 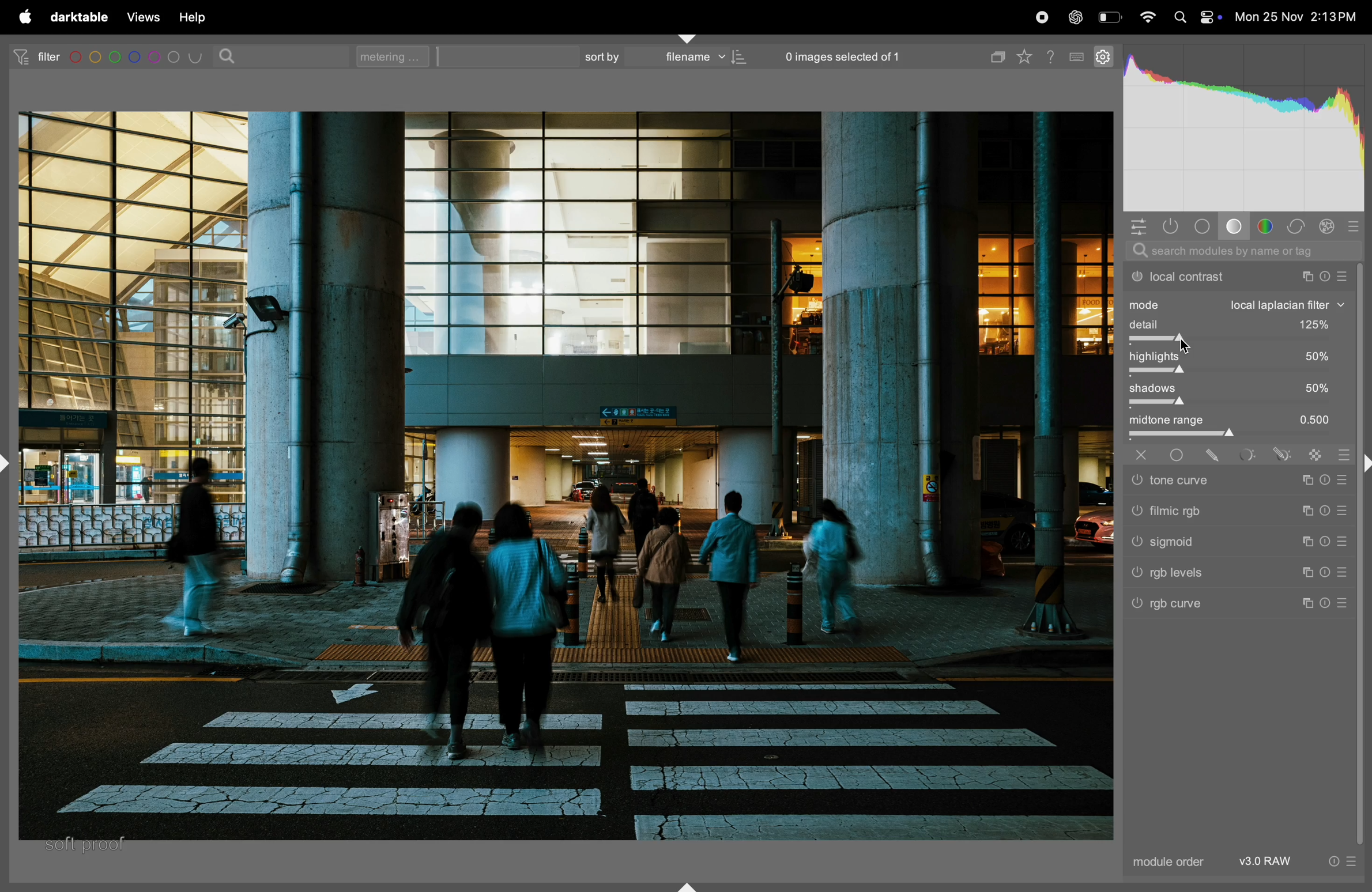 I want to click on rgb curve switched off, so click(x=1139, y=605).